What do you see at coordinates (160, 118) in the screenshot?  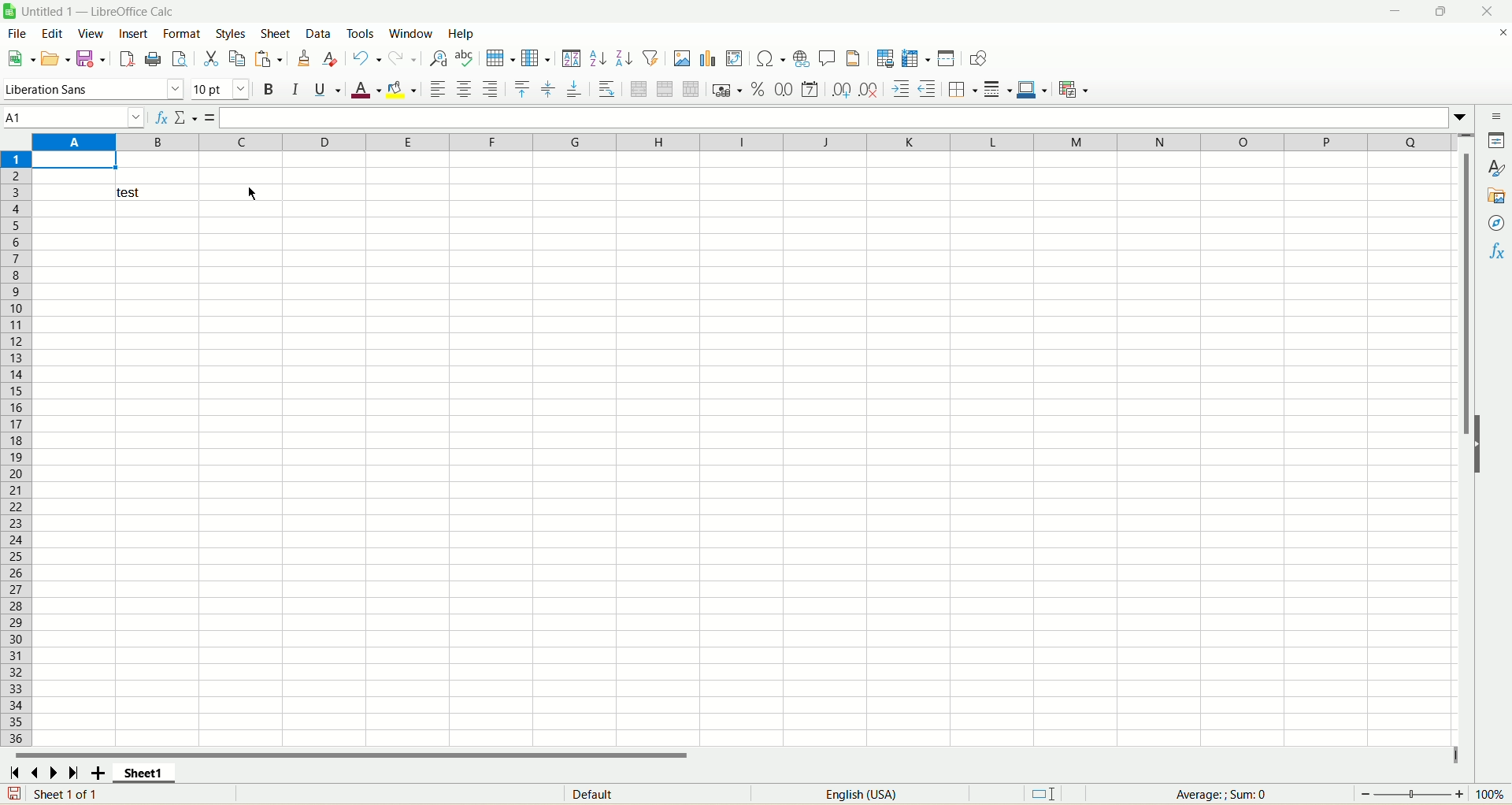 I see `function wizard` at bounding box center [160, 118].